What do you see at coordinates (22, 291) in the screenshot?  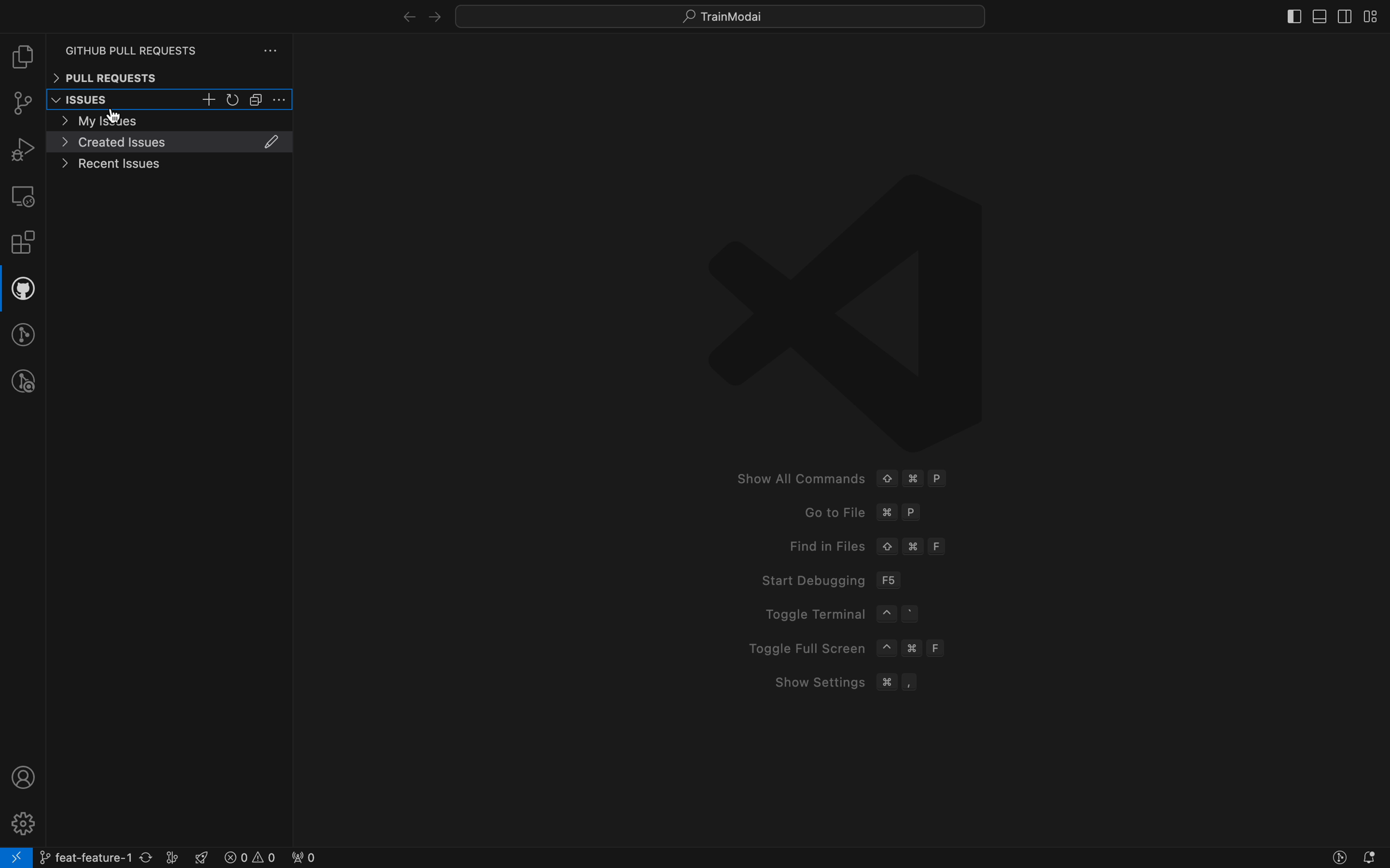 I see `github pull request and issues` at bounding box center [22, 291].